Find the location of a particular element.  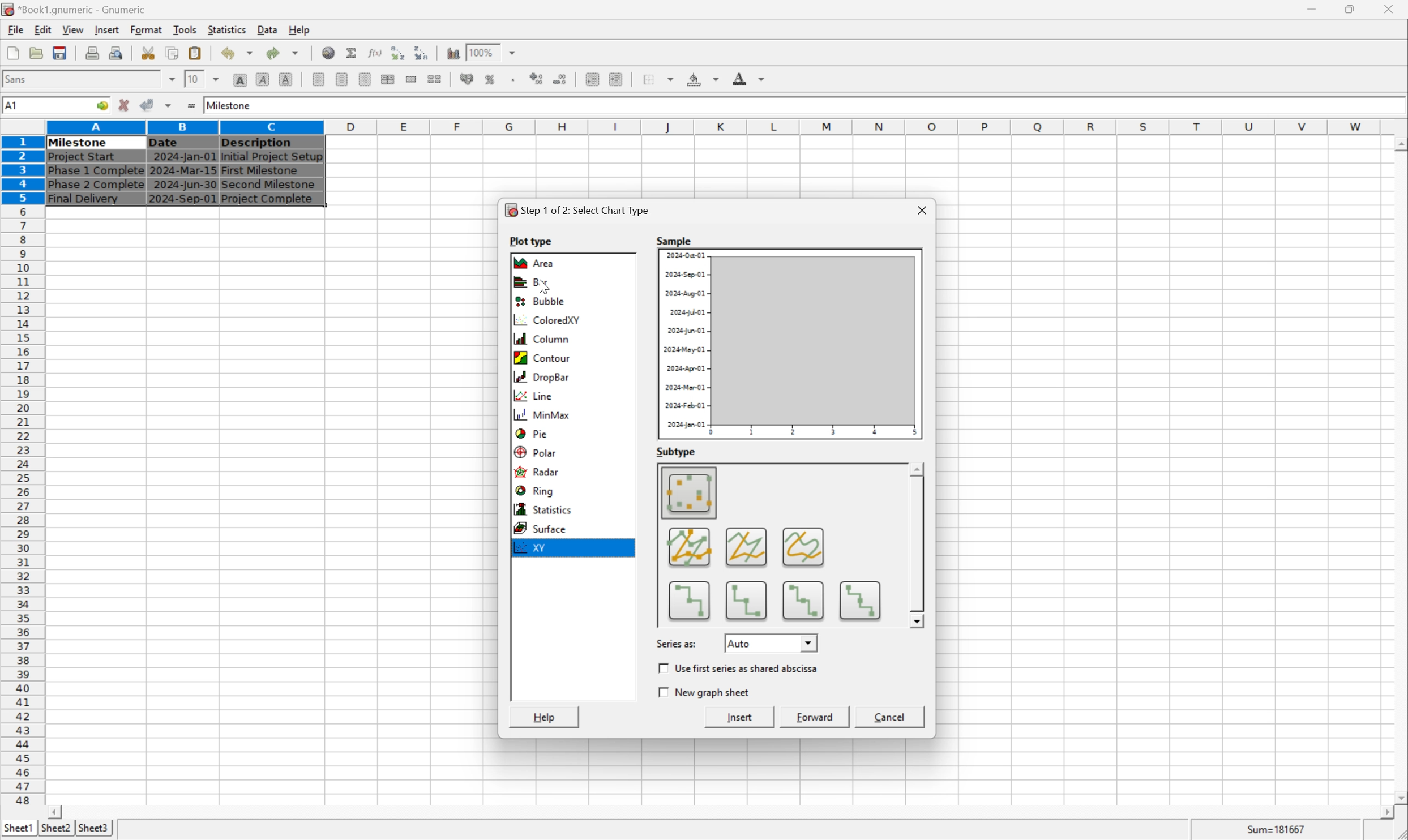

help is located at coordinates (546, 717).